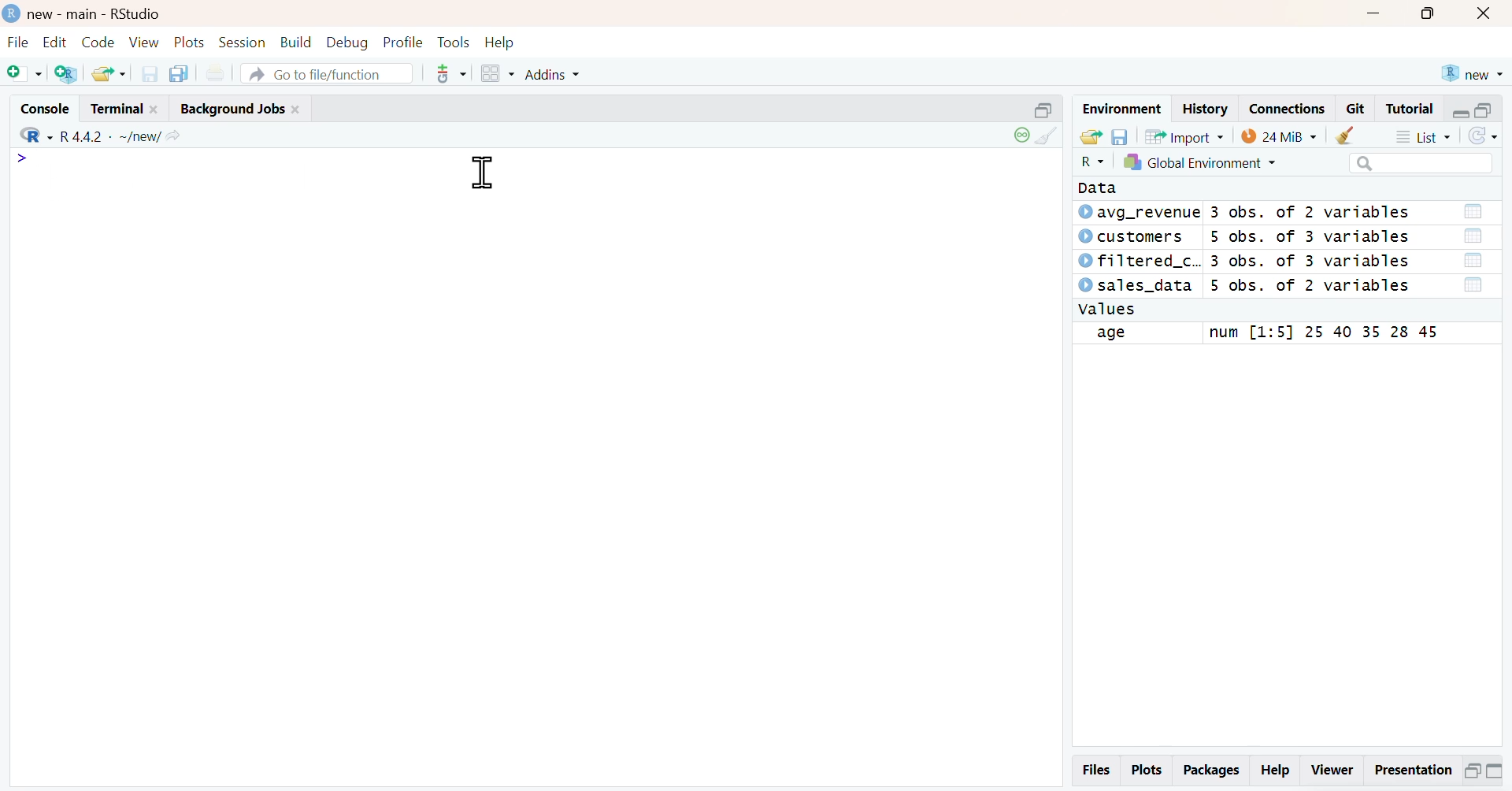 Image resolution: width=1512 pixels, height=791 pixels. Describe the element at coordinates (46, 108) in the screenshot. I see `Console` at that location.